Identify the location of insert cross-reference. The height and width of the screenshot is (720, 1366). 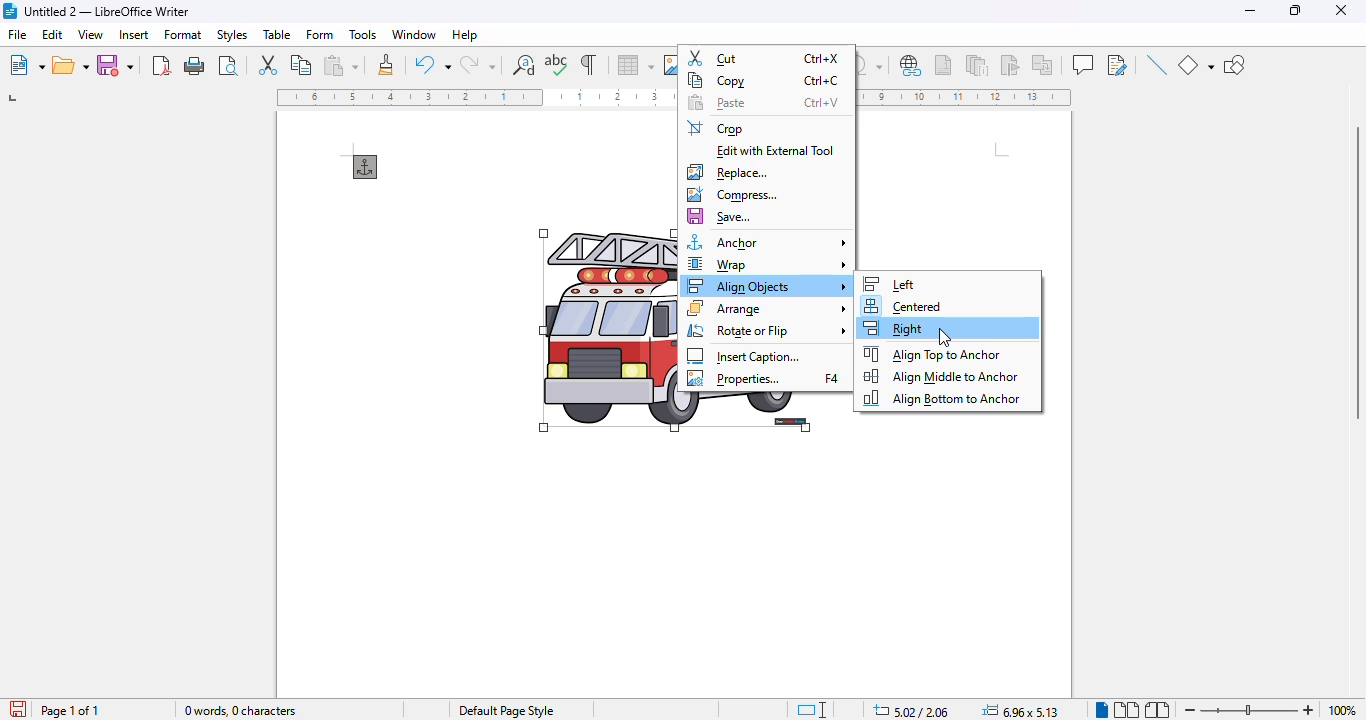
(1042, 64).